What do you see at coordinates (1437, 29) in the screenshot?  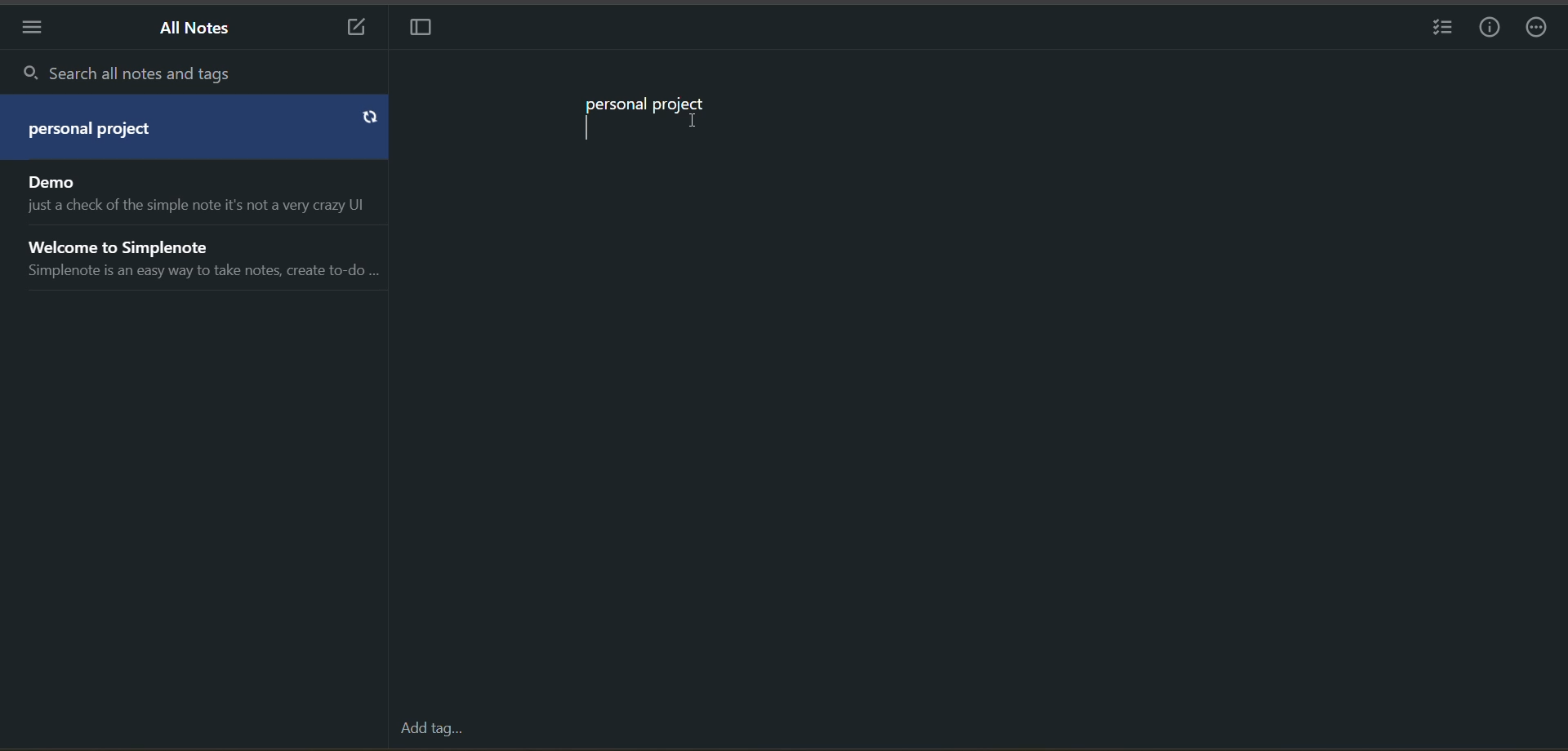 I see `insert checklist` at bounding box center [1437, 29].